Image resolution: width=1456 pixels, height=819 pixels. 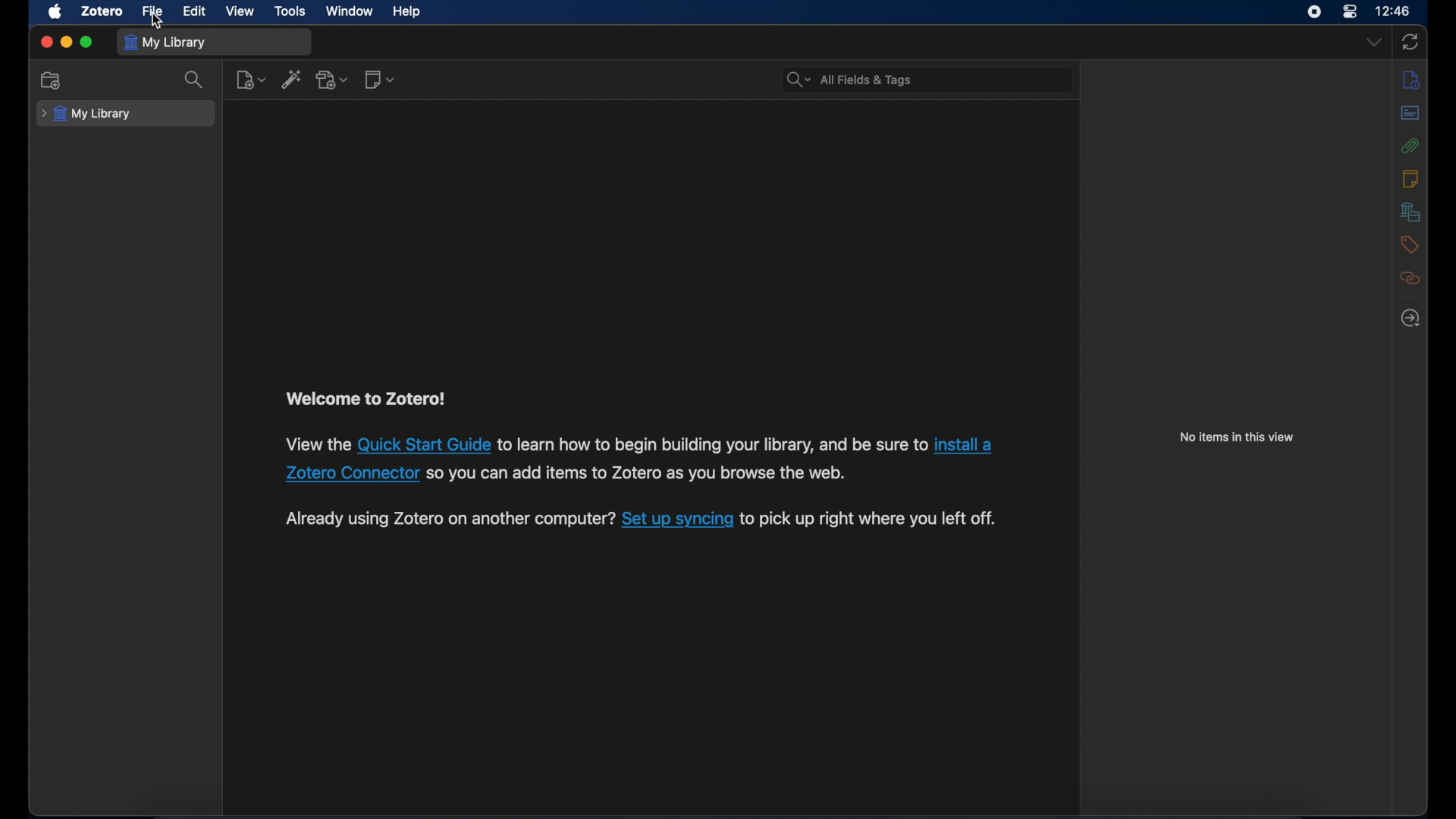 What do you see at coordinates (1410, 317) in the screenshot?
I see `locate` at bounding box center [1410, 317].